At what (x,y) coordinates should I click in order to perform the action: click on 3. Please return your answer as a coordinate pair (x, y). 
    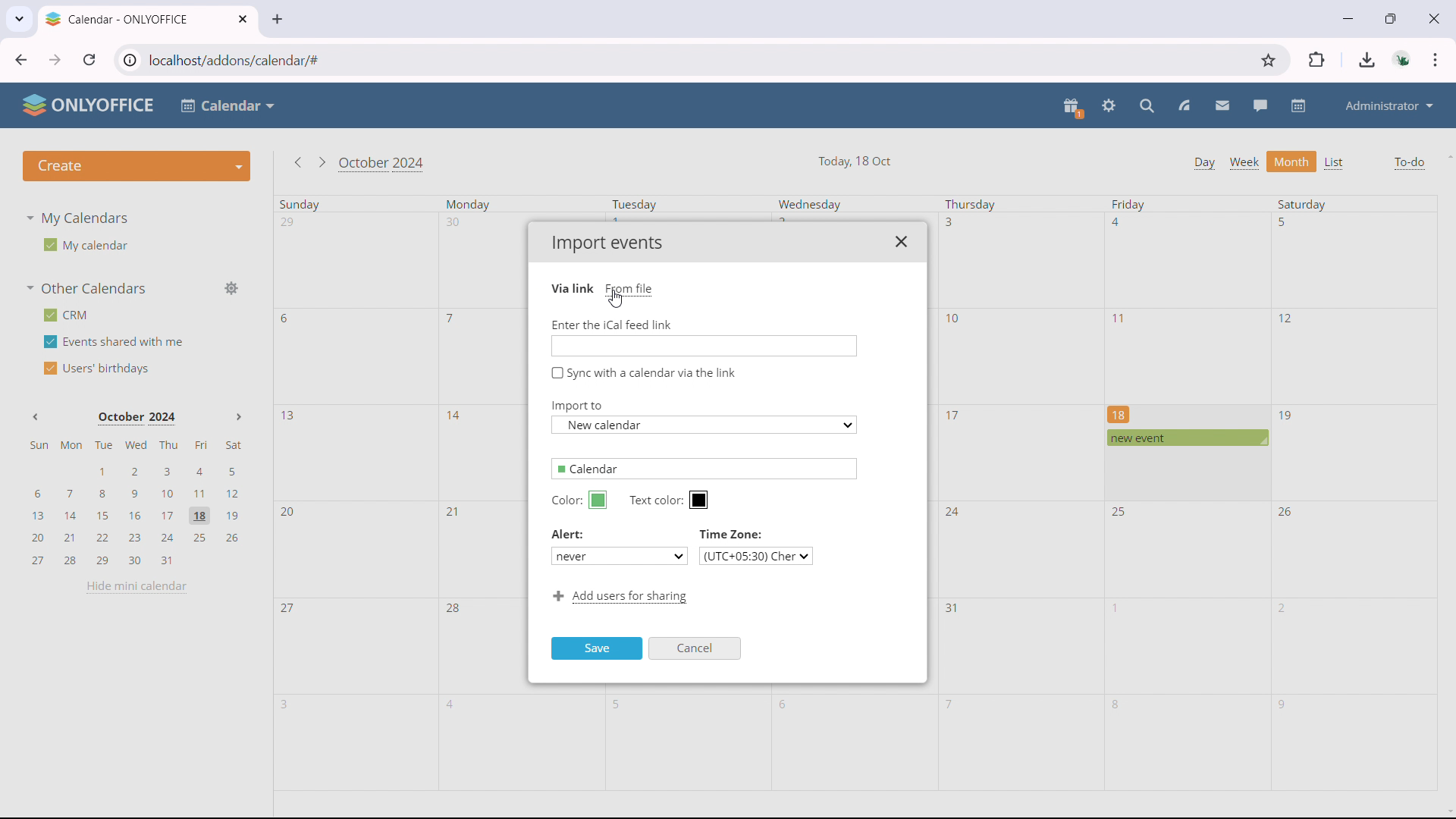
    Looking at the image, I should click on (949, 221).